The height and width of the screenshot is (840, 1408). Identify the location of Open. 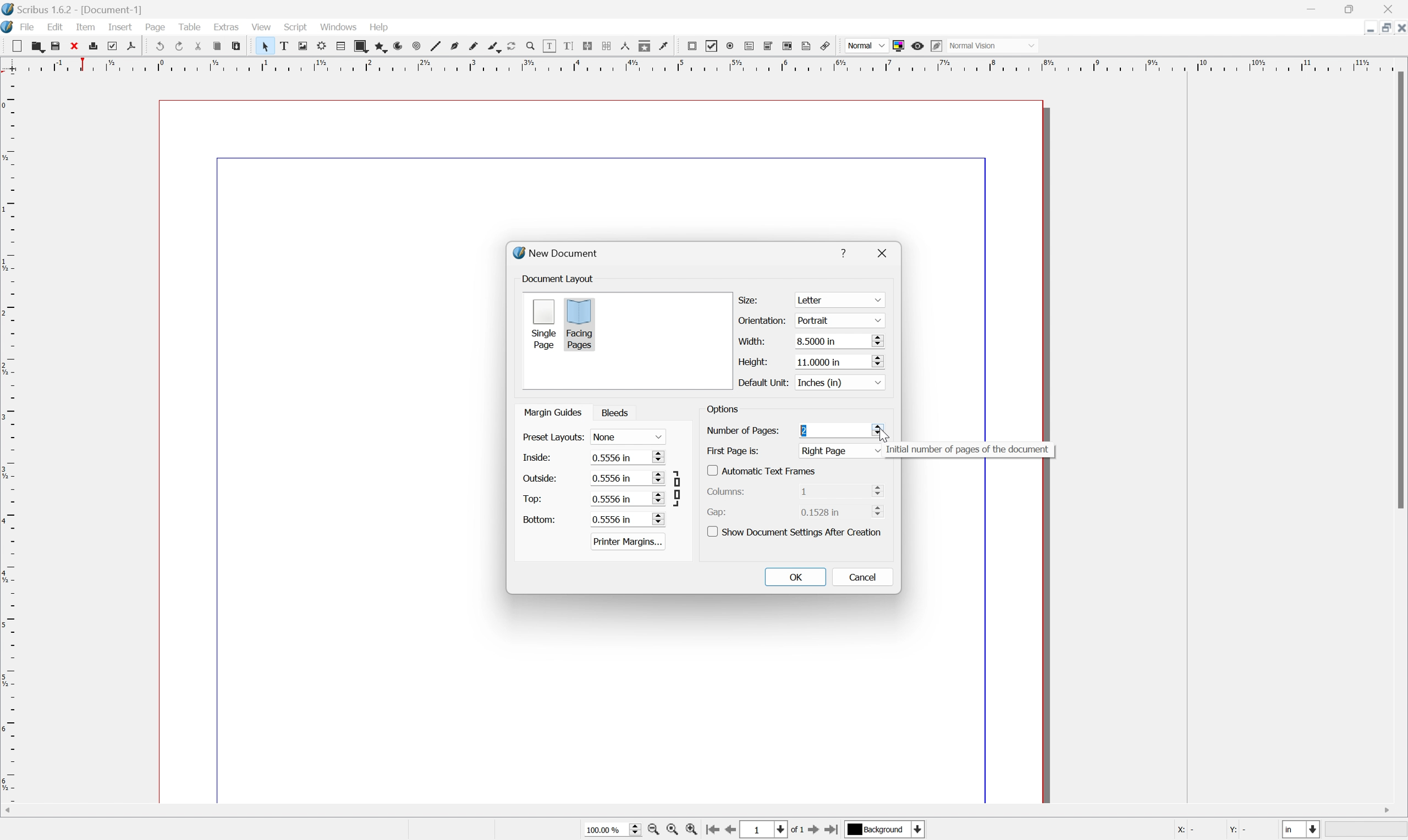
(38, 47).